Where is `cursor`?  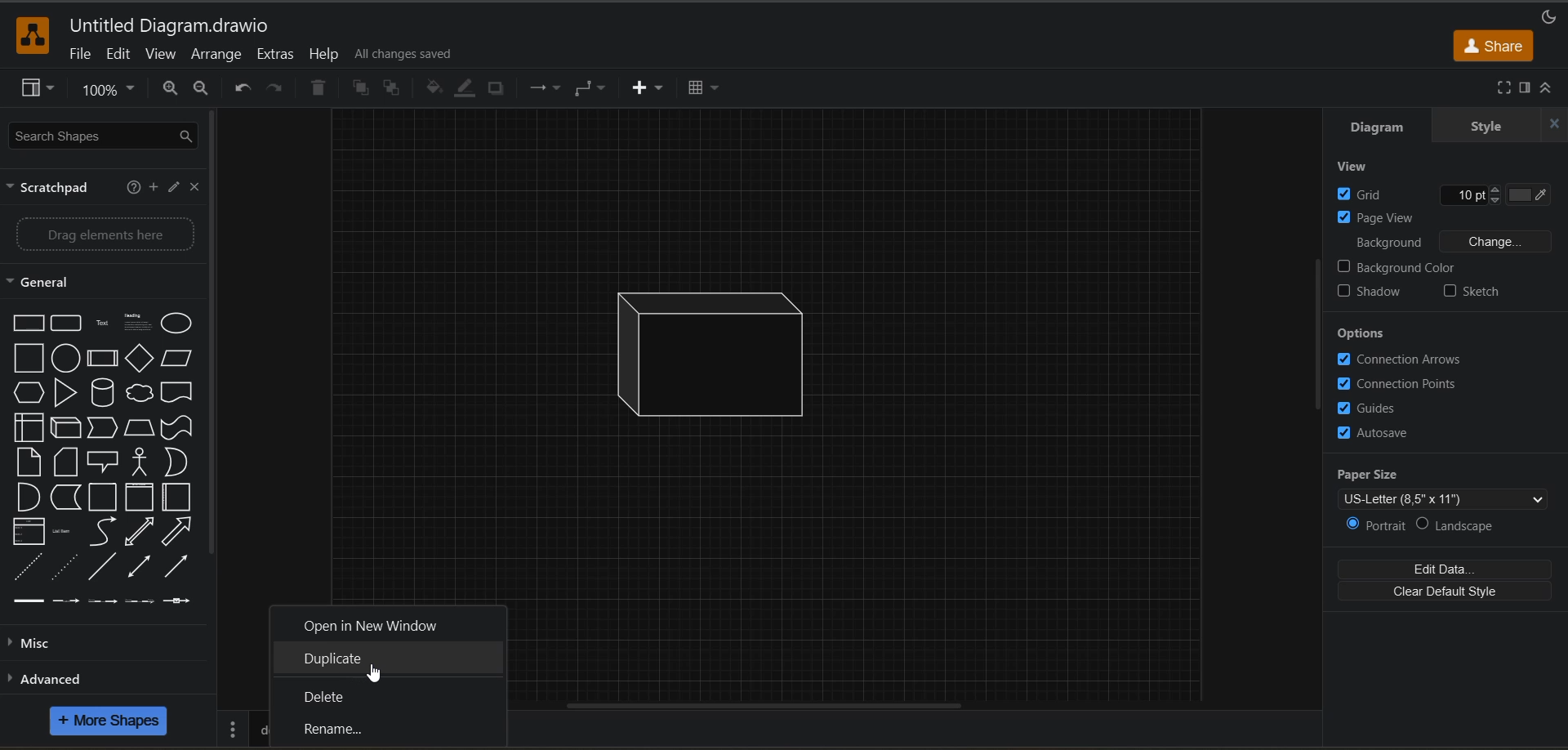 cursor is located at coordinates (380, 667).